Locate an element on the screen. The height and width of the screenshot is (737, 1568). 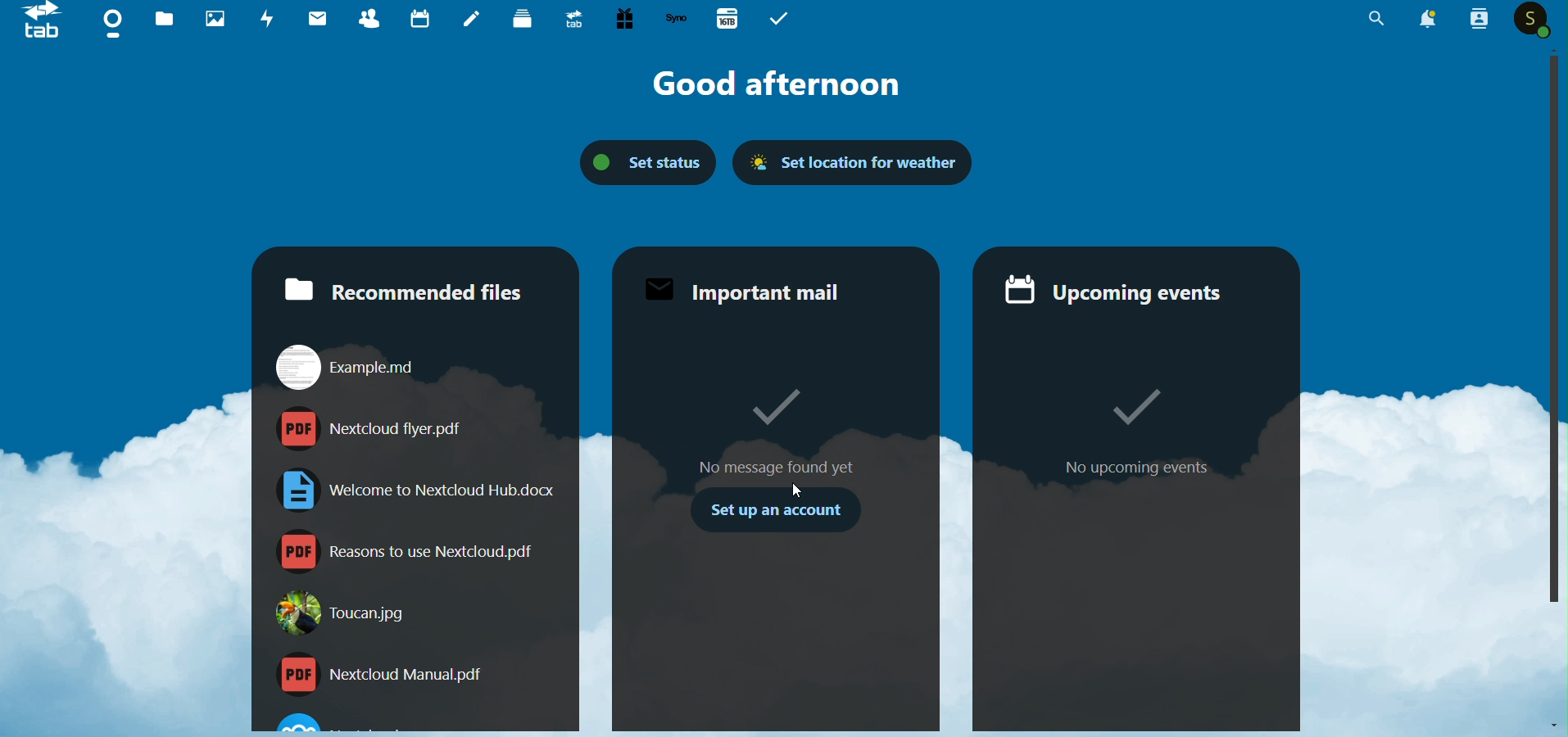
cursor is located at coordinates (797, 491).